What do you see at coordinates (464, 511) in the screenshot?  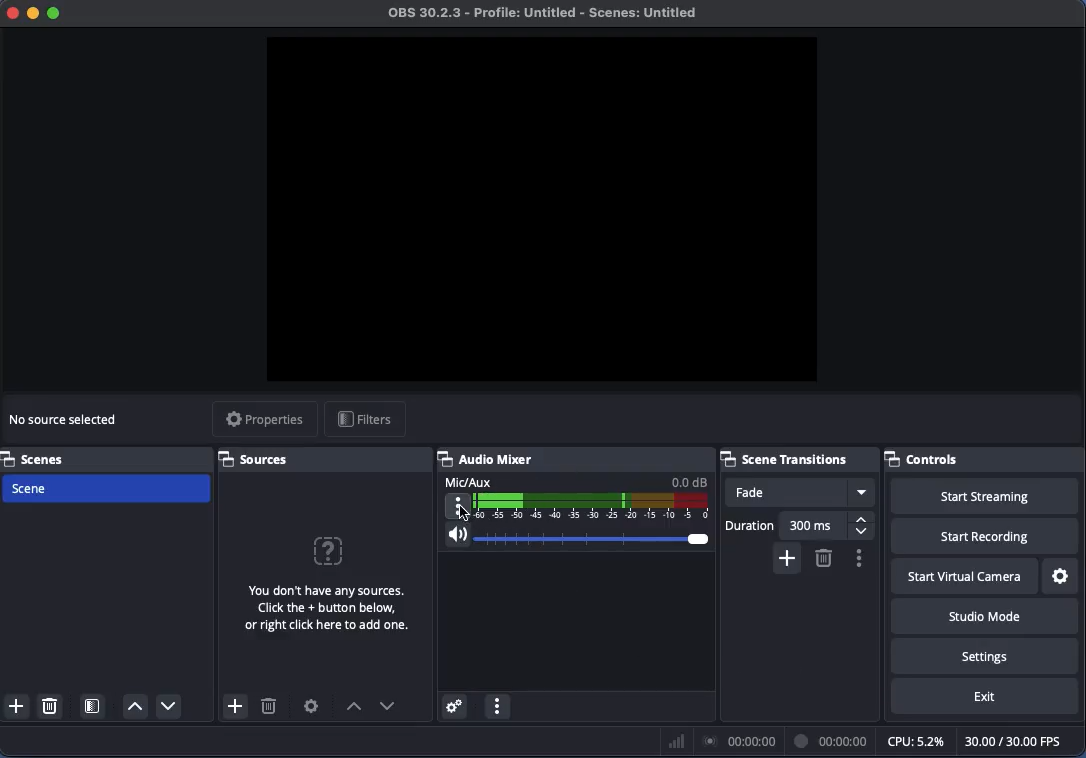 I see `cursor` at bounding box center [464, 511].